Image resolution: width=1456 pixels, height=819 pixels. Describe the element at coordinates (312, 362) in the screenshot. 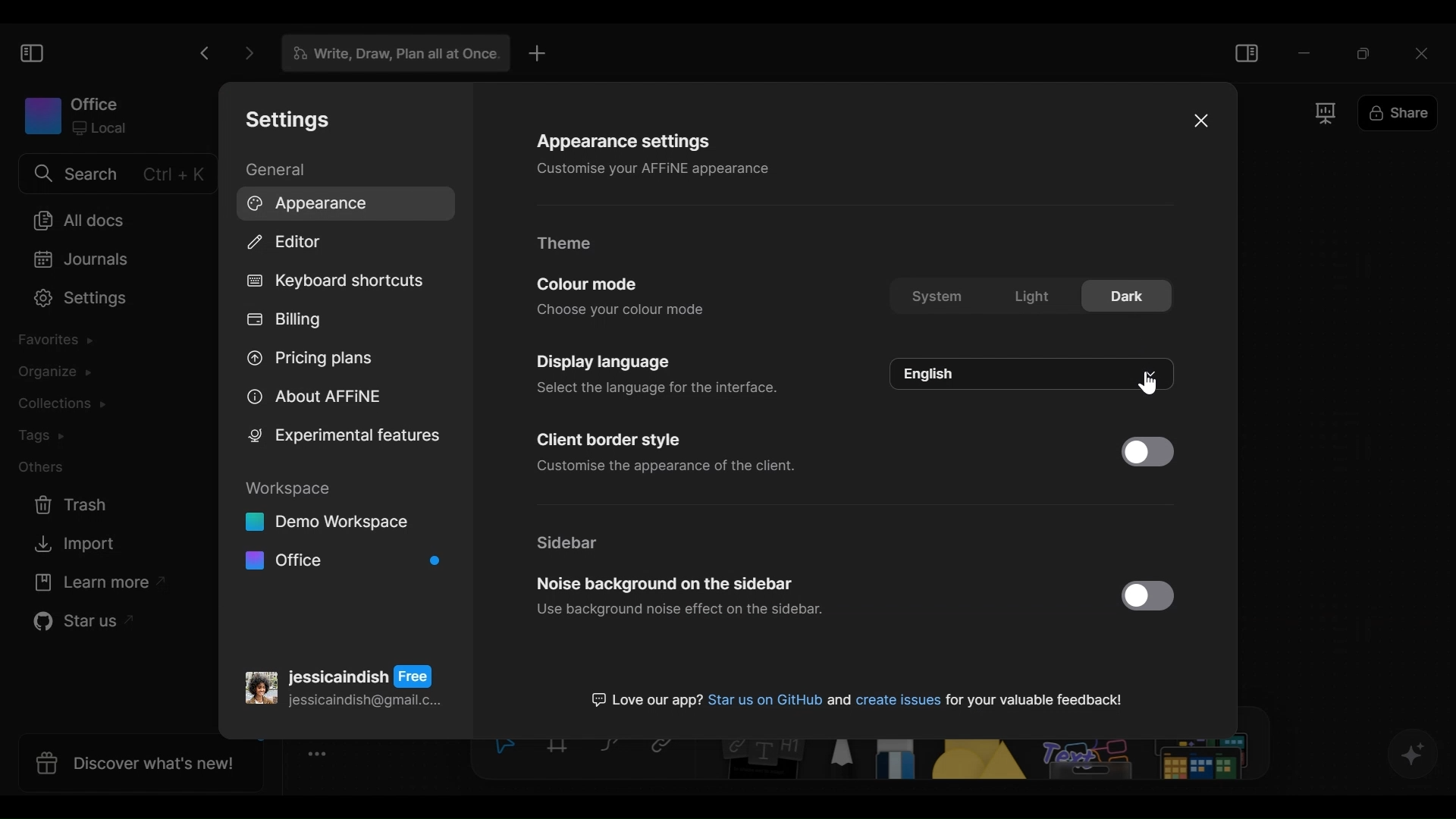

I see `Pricing plans` at that location.